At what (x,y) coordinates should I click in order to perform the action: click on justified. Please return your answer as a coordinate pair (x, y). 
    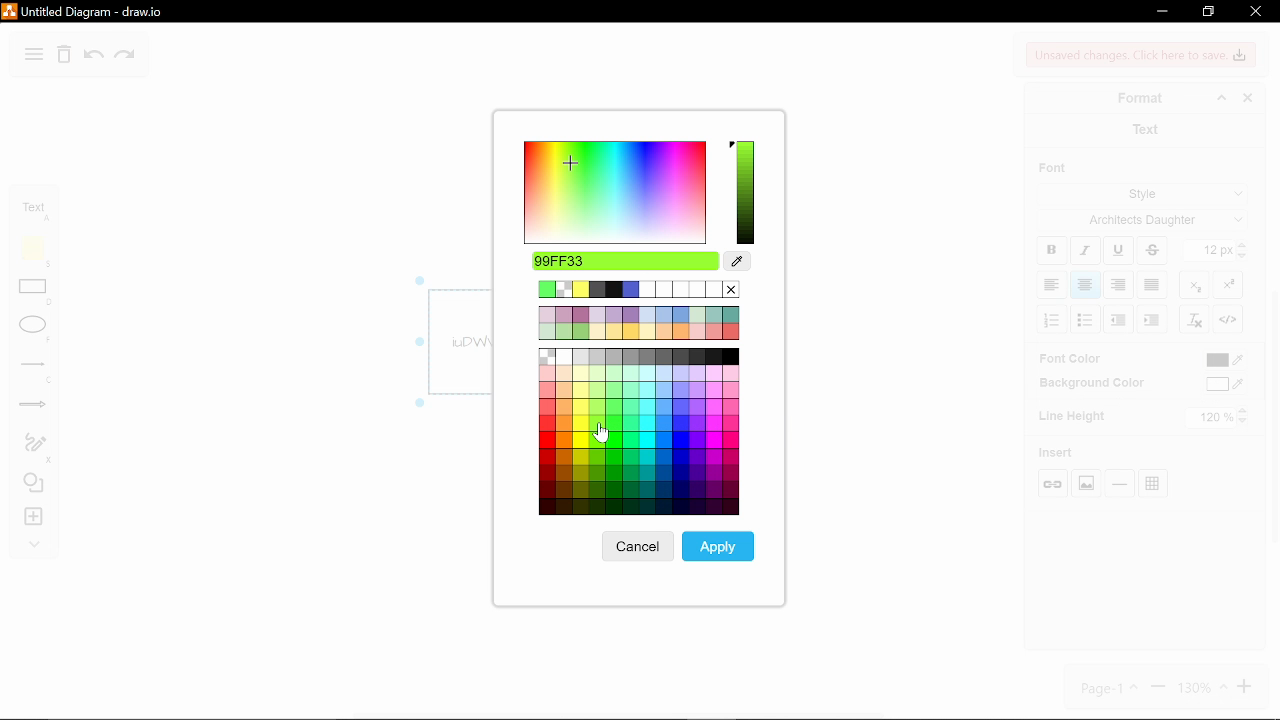
    Looking at the image, I should click on (1154, 284).